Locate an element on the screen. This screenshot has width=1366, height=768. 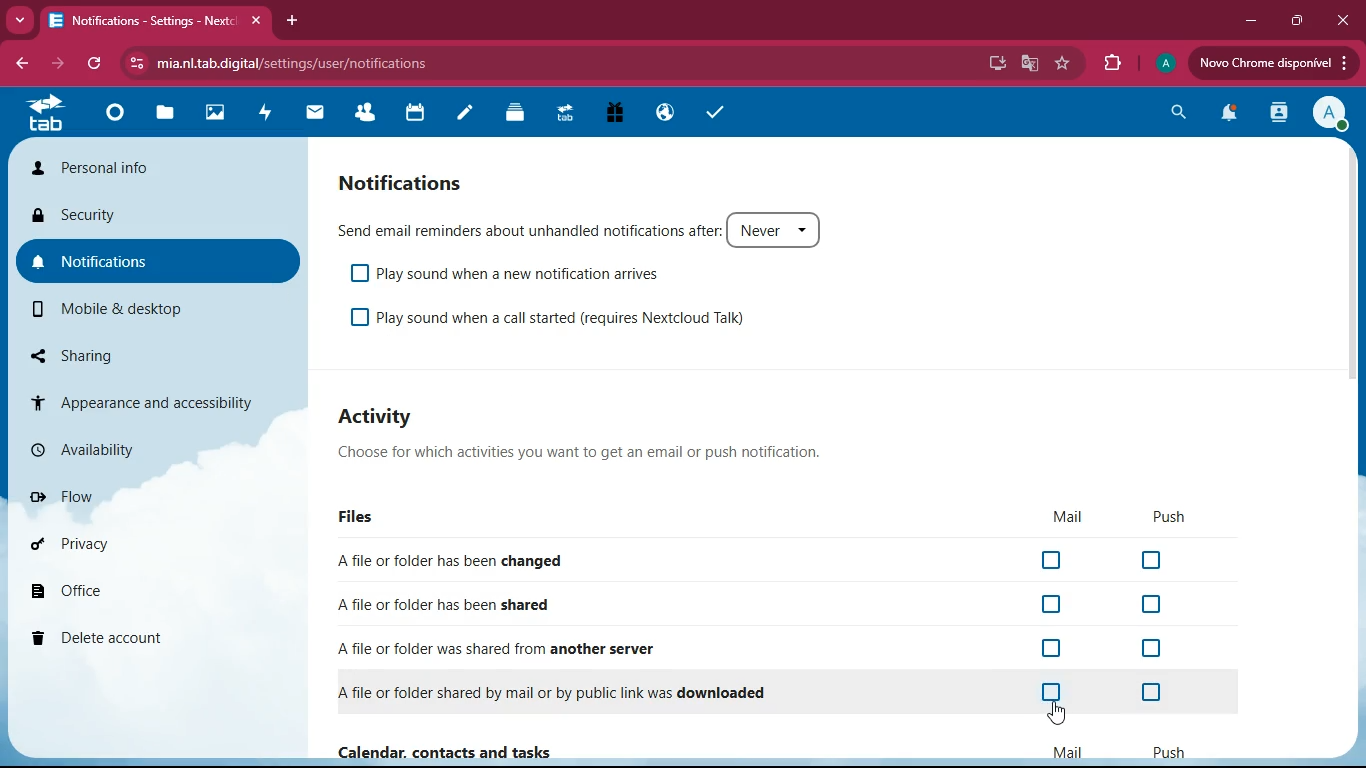
off is located at coordinates (1153, 558).